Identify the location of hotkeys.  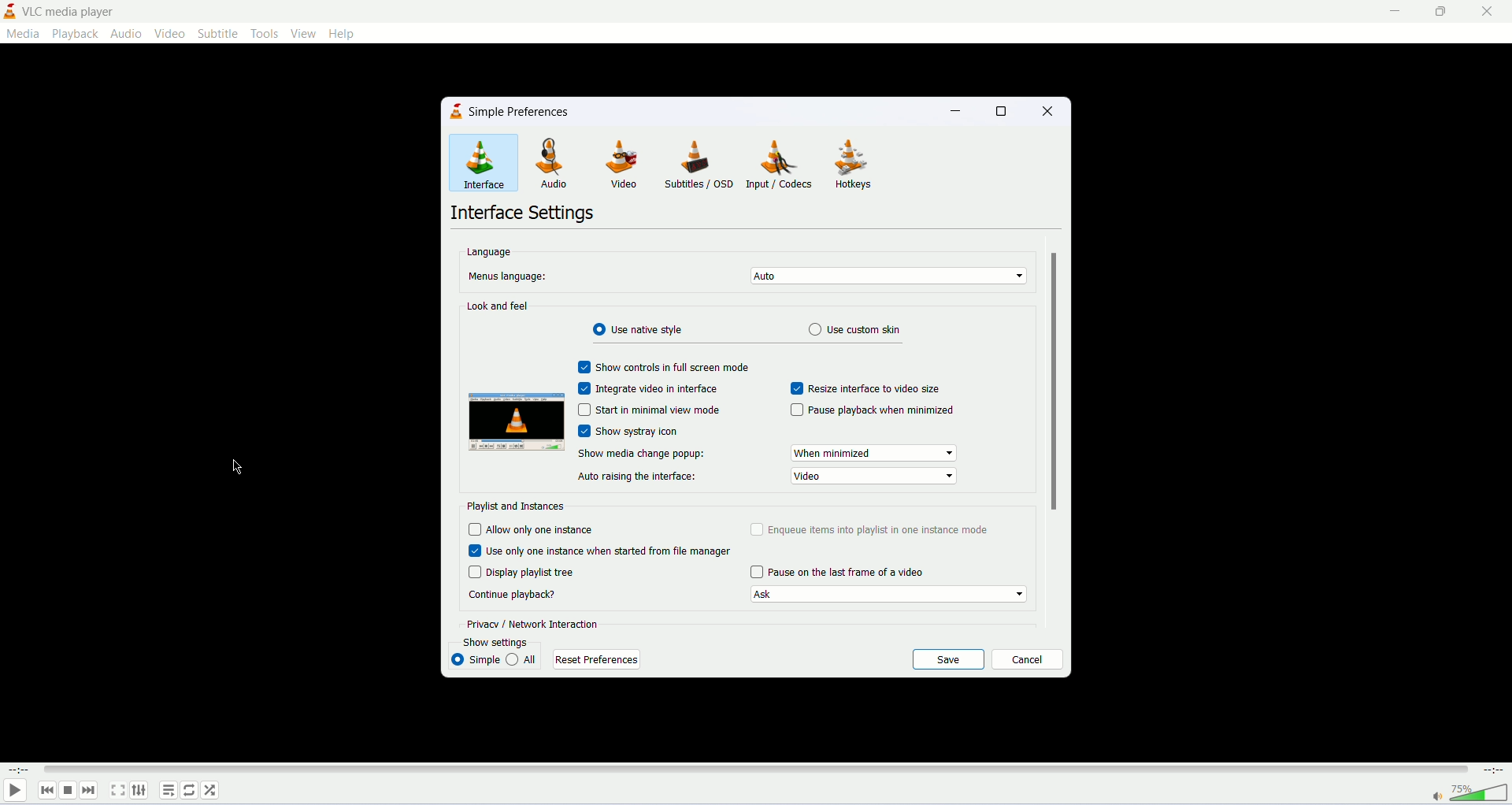
(858, 165).